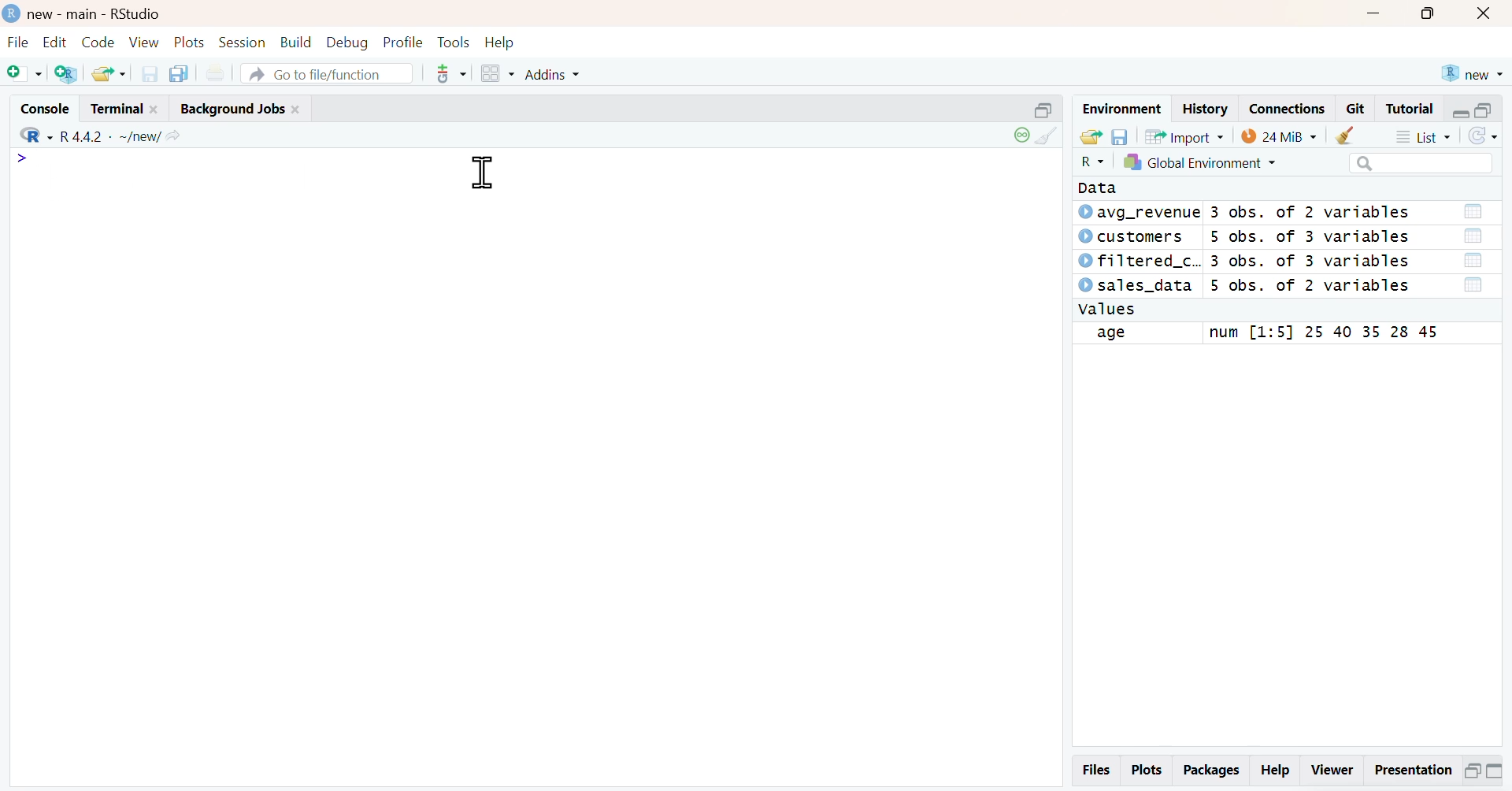 The height and width of the screenshot is (791, 1512). I want to click on cursor, so click(482, 173).